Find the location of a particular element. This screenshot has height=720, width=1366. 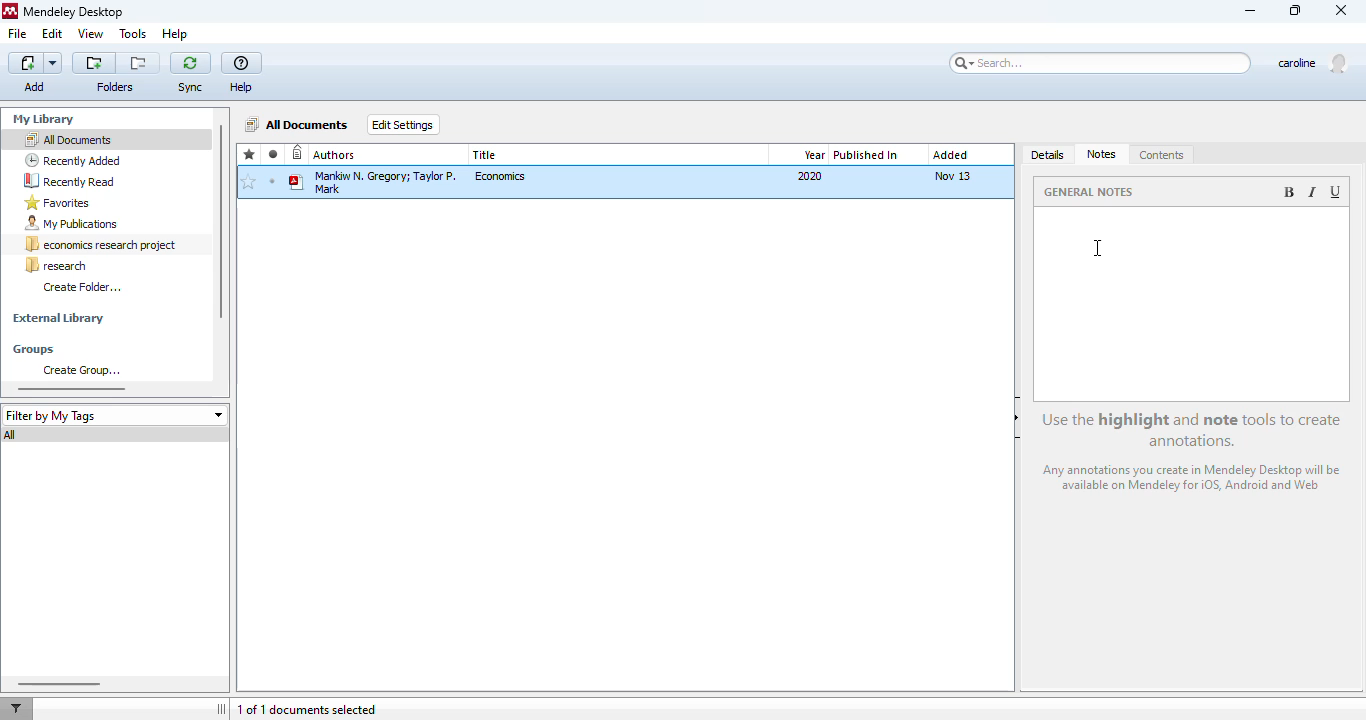

profile is located at coordinates (1312, 64).